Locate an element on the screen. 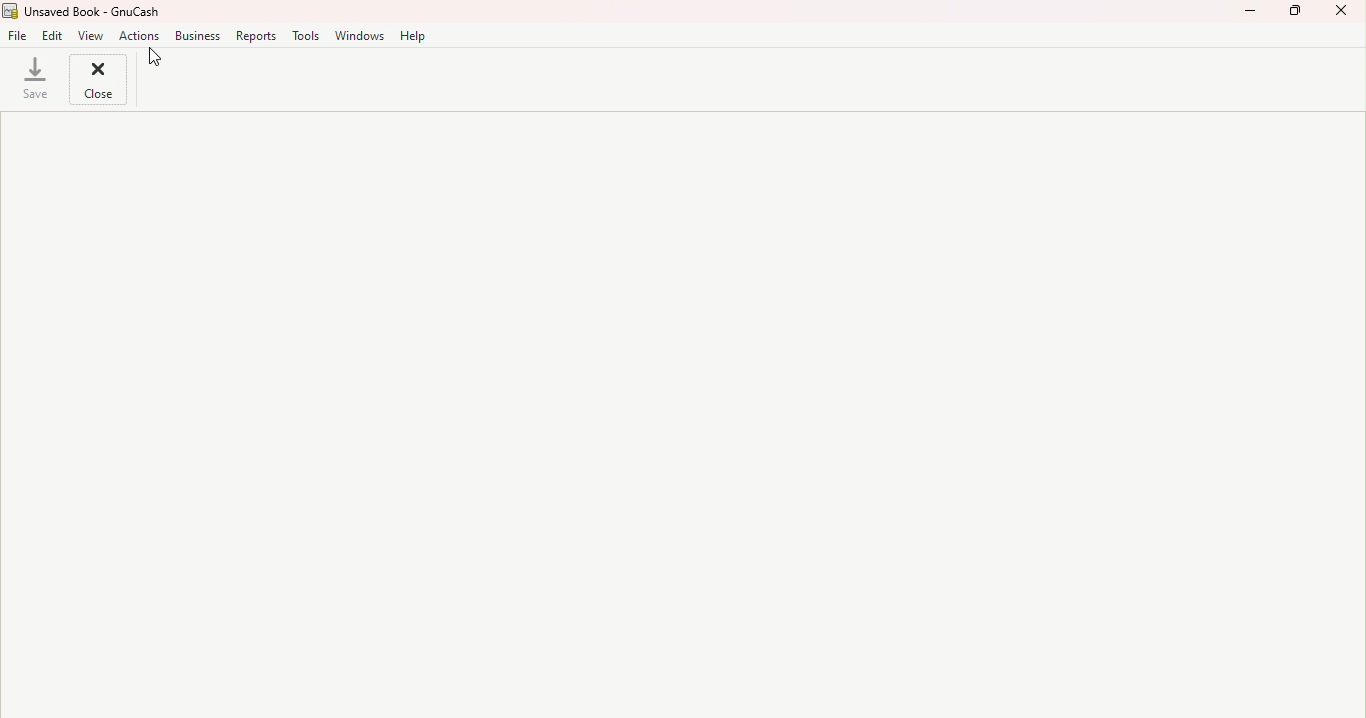 Image resolution: width=1366 pixels, height=718 pixels. Reports is located at coordinates (257, 37).